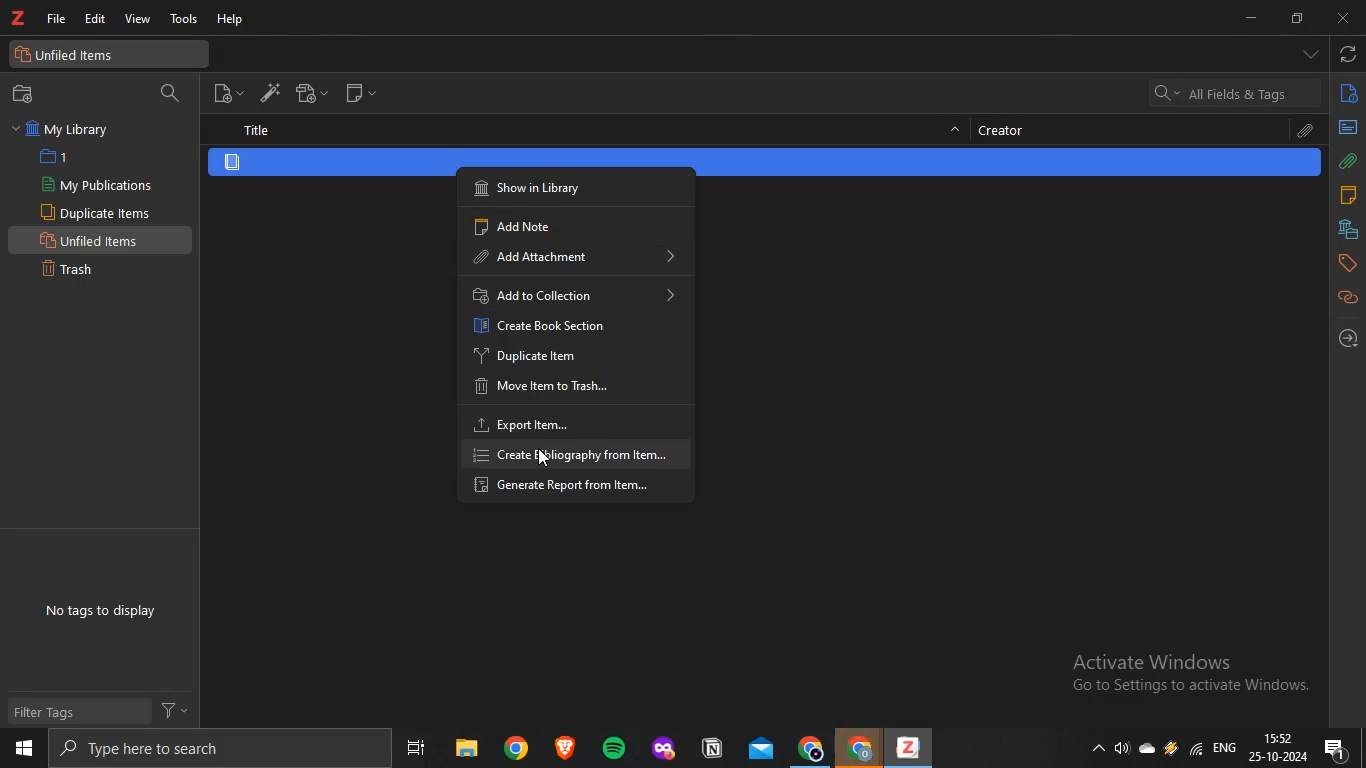 This screenshot has height=768, width=1366. Describe the element at coordinates (136, 20) in the screenshot. I see `view` at that location.